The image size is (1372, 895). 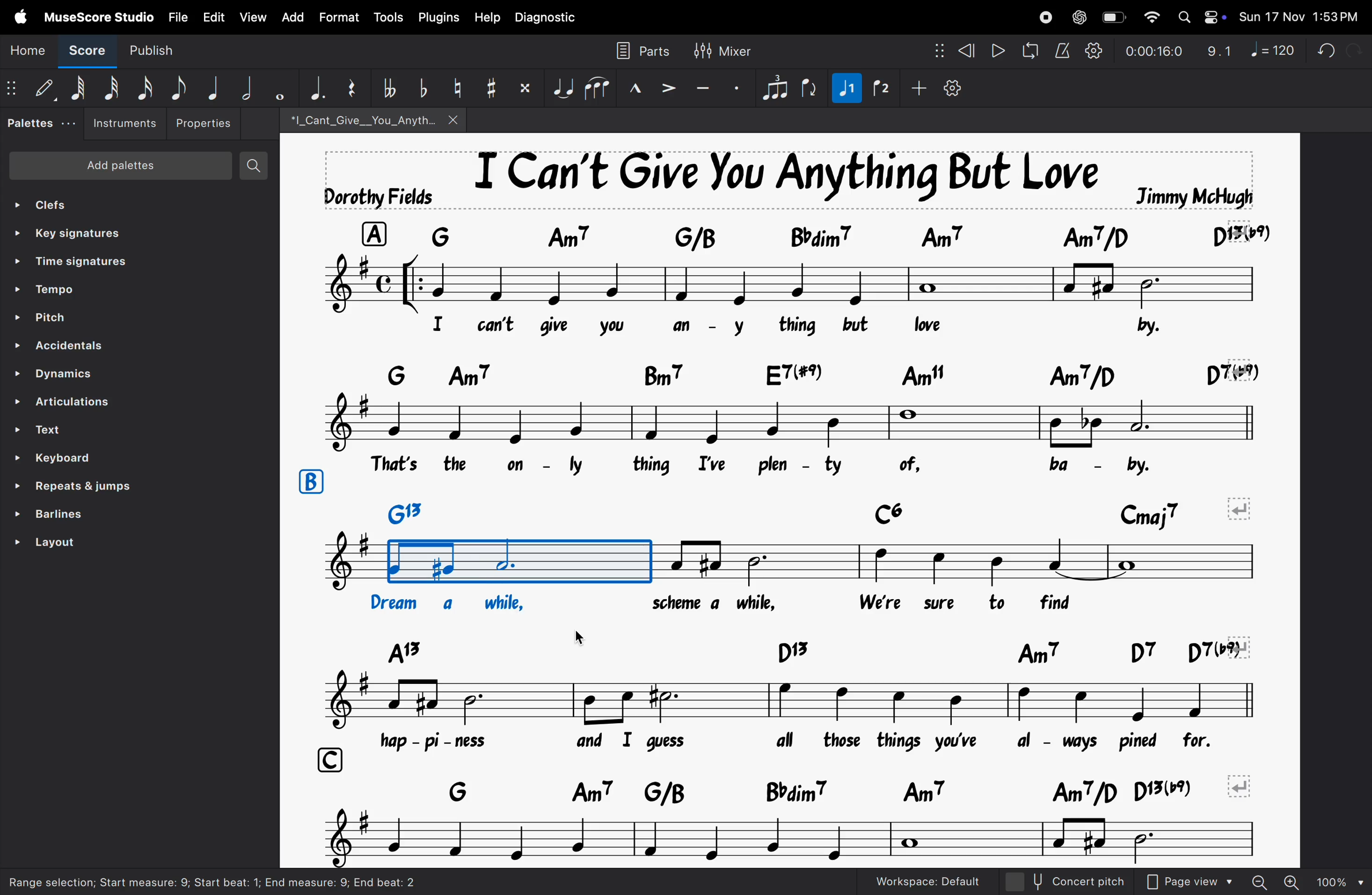 I want to click on song, so click(x=369, y=119).